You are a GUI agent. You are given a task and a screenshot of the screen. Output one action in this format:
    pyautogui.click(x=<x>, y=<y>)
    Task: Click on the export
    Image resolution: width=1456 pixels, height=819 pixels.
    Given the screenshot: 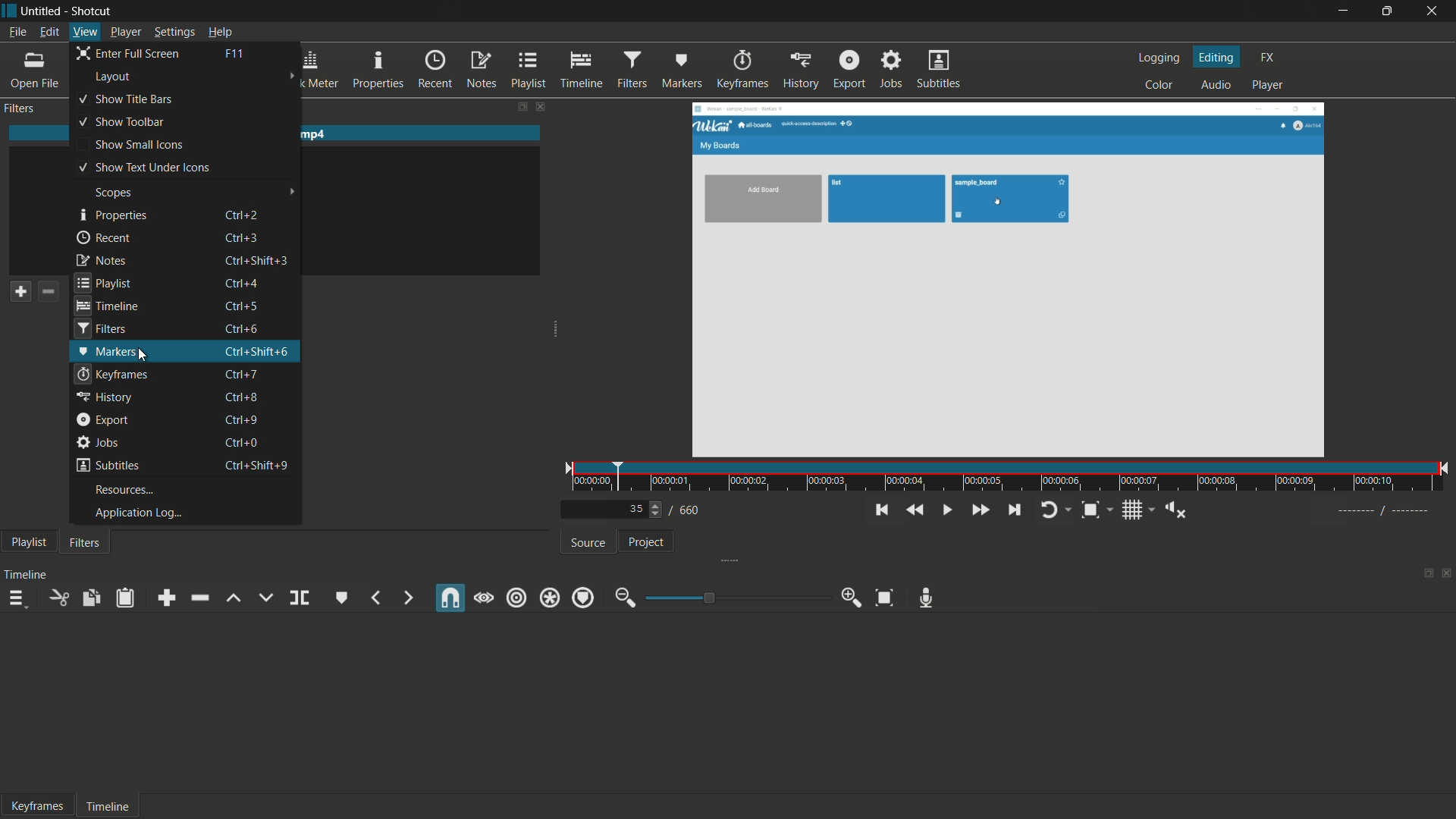 What is the action you would take?
    pyautogui.click(x=848, y=71)
    